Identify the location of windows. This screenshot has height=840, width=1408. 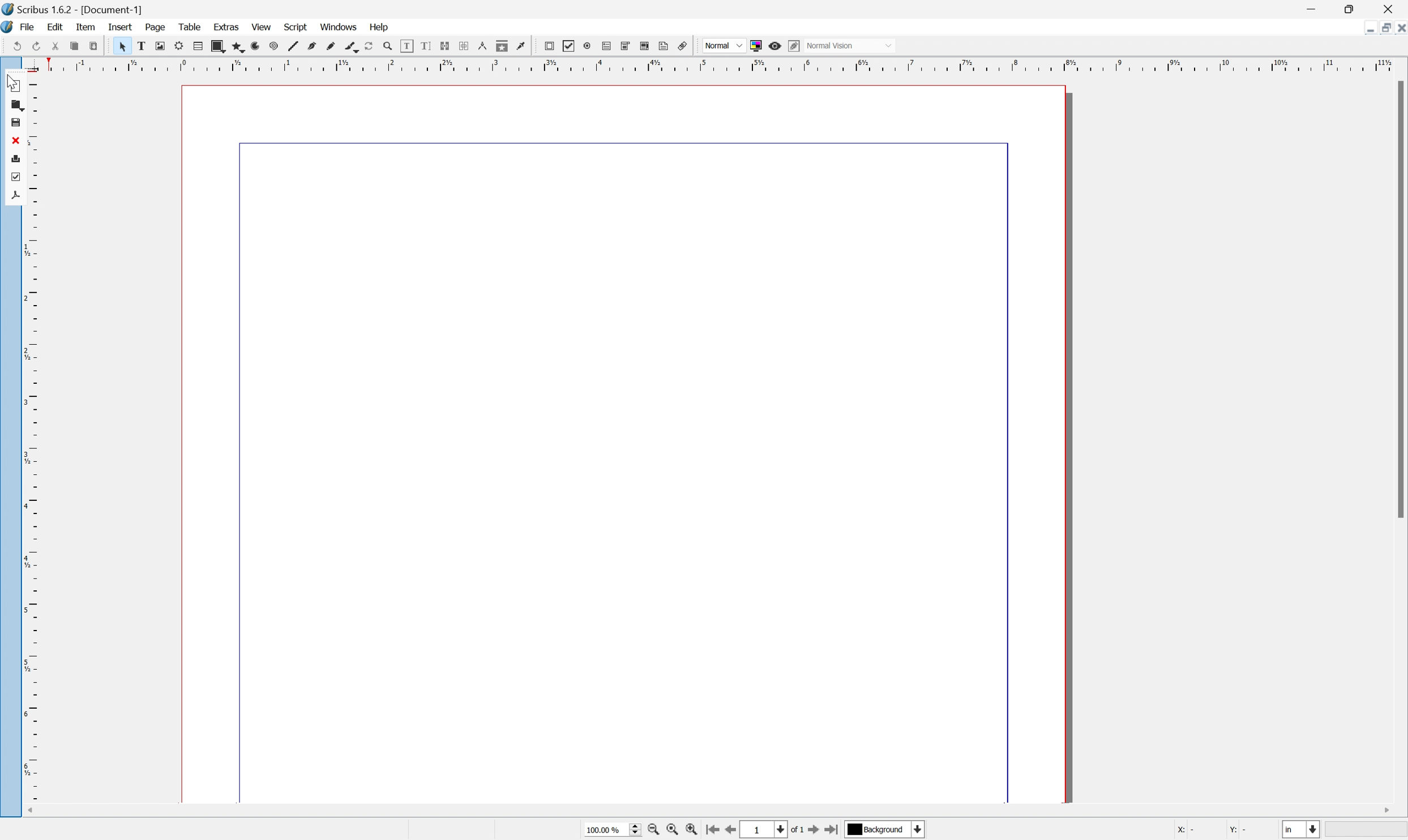
(340, 28).